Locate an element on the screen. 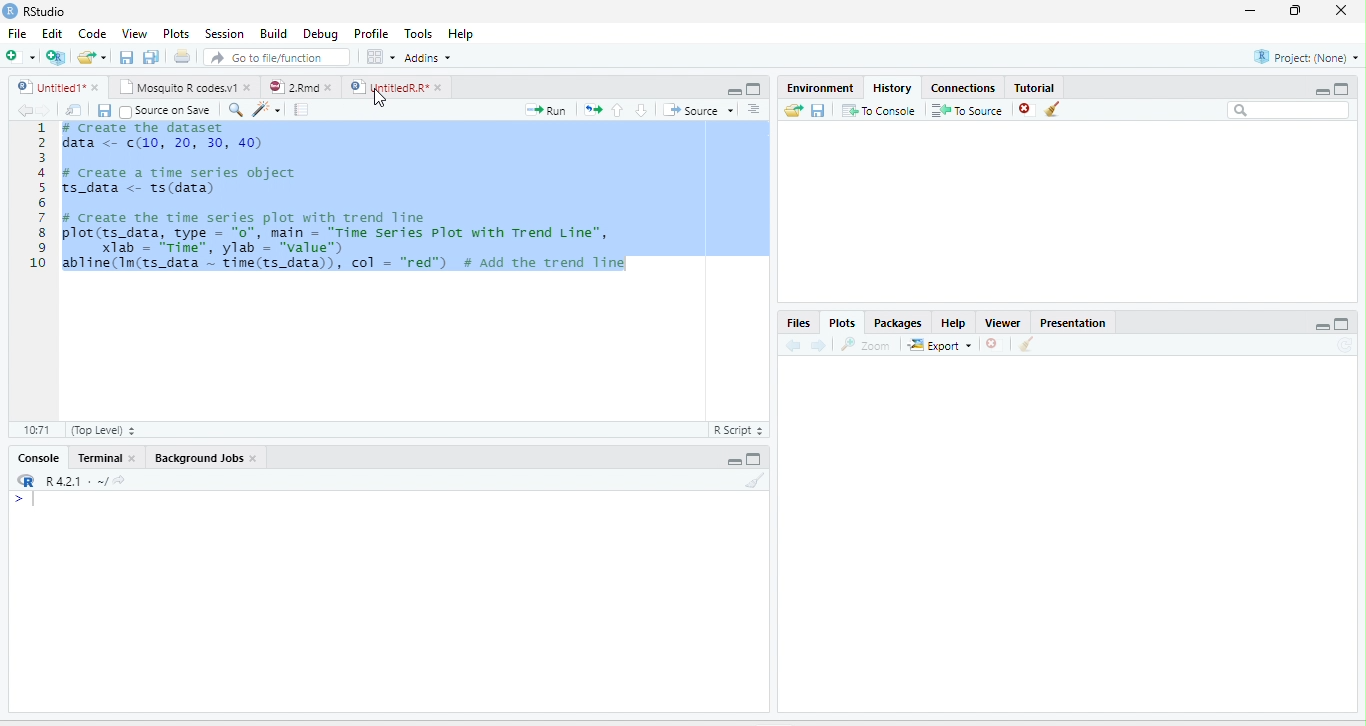 Image resolution: width=1366 pixels, height=726 pixels. UntitledR.R* is located at coordinates (388, 87).